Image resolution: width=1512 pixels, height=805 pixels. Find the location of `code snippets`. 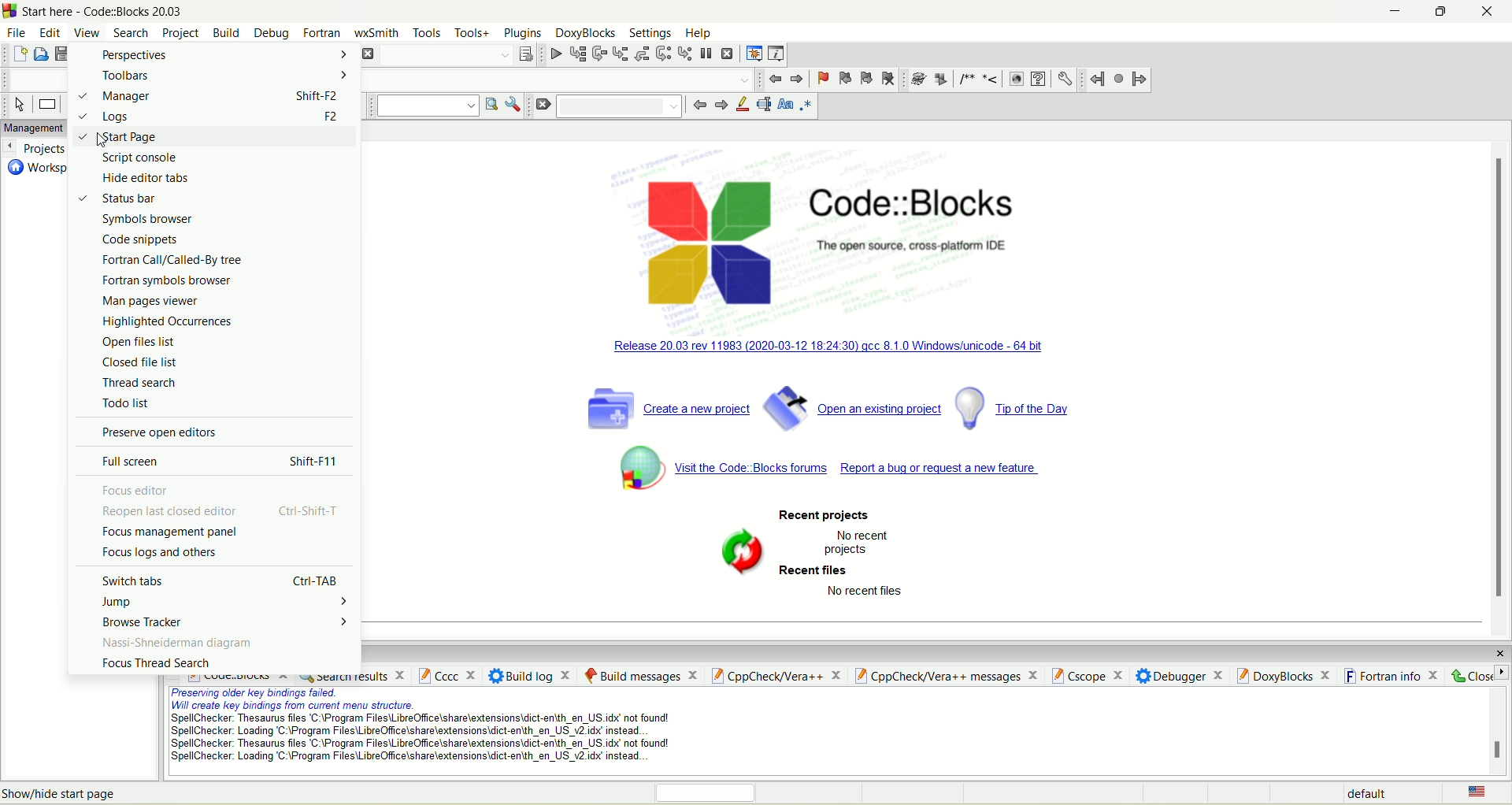

code snippets is located at coordinates (142, 240).